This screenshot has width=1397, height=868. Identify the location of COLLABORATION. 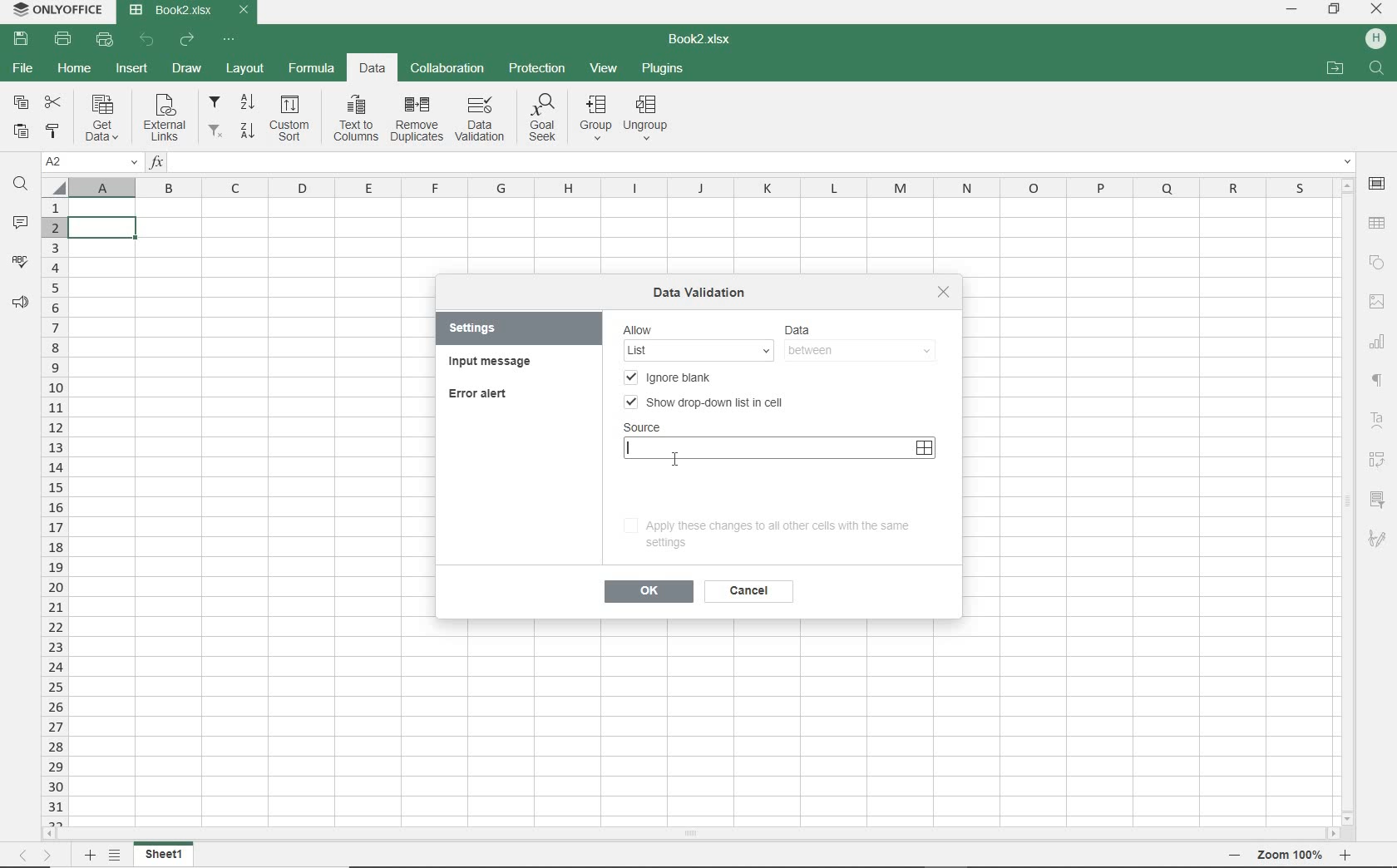
(446, 69).